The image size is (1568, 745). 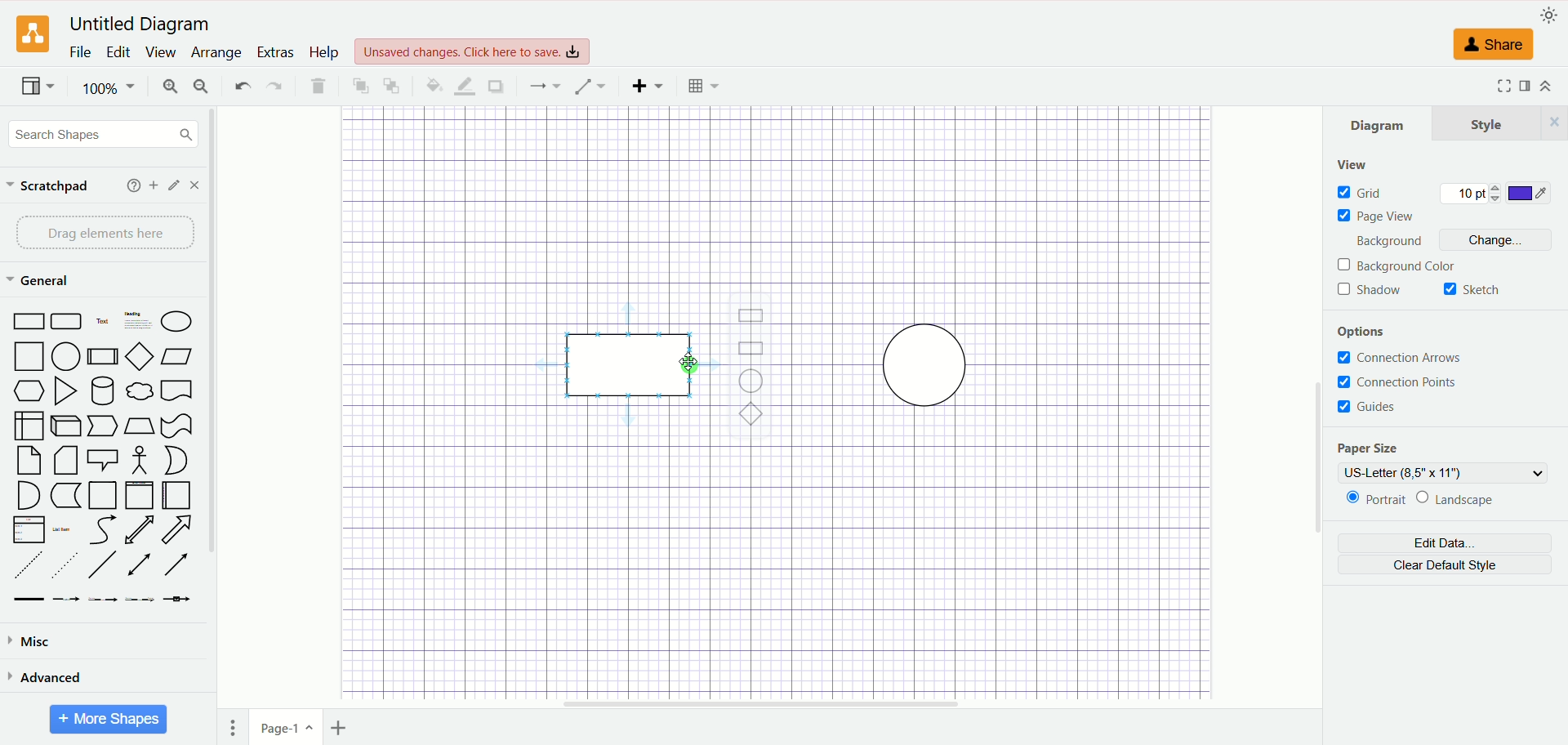 I want to click on expand/collapse, so click(x=1546, y=86).